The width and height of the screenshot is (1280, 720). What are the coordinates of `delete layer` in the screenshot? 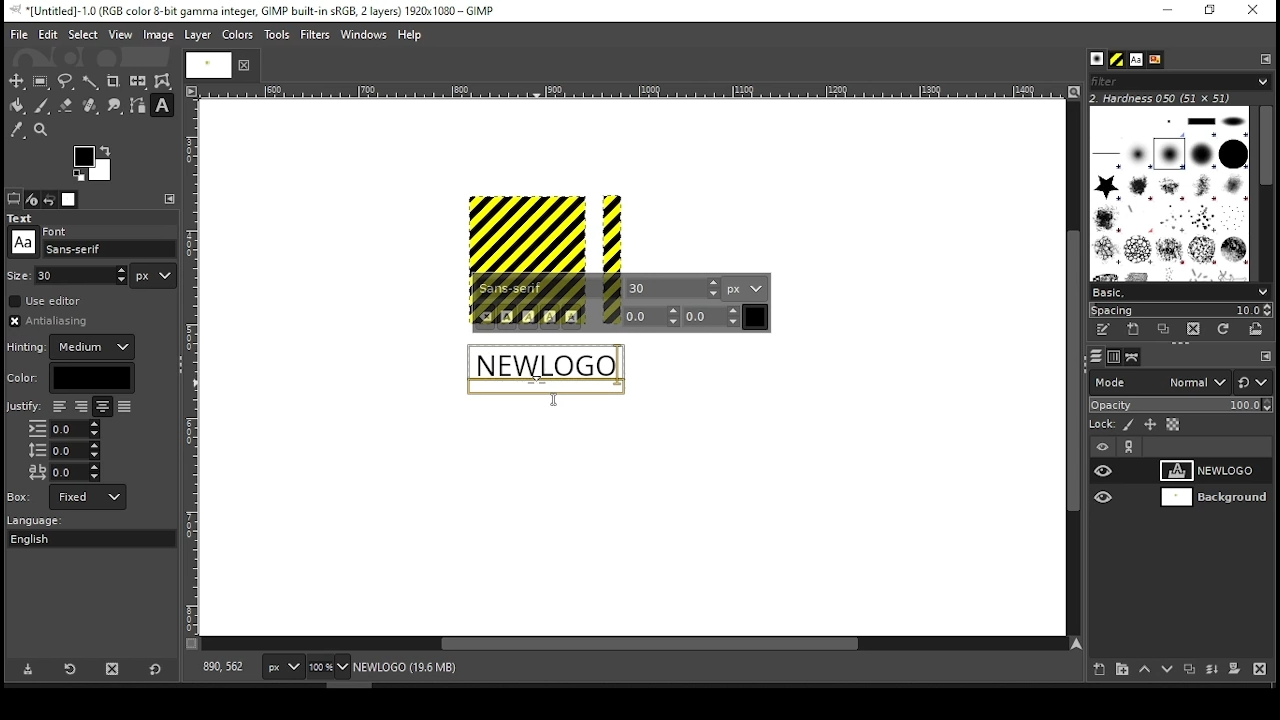 It's located at (1259, 669).